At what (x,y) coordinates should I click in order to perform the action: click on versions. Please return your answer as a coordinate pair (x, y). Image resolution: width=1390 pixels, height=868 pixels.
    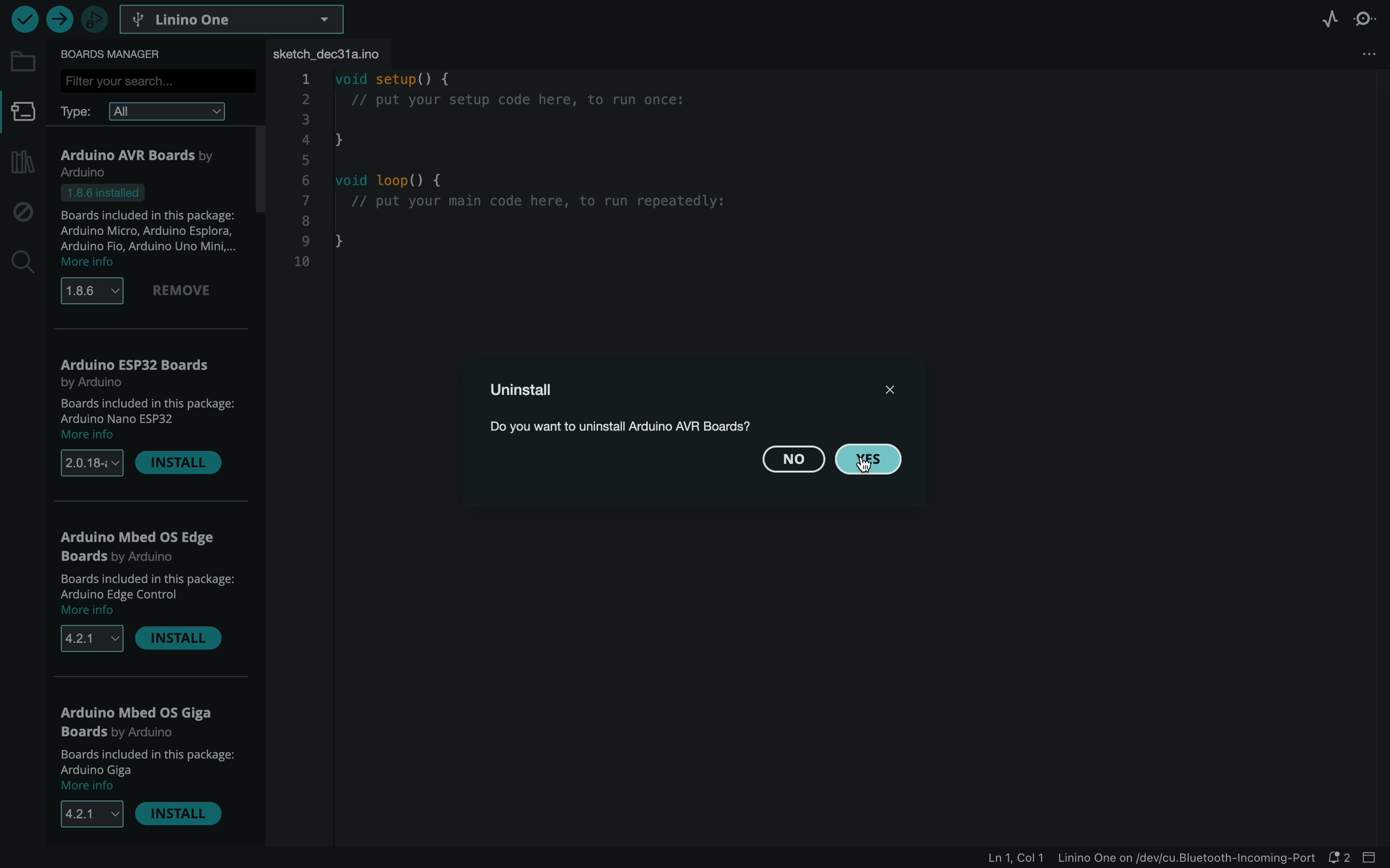
    Looking at the image, I should click on (90, 463).